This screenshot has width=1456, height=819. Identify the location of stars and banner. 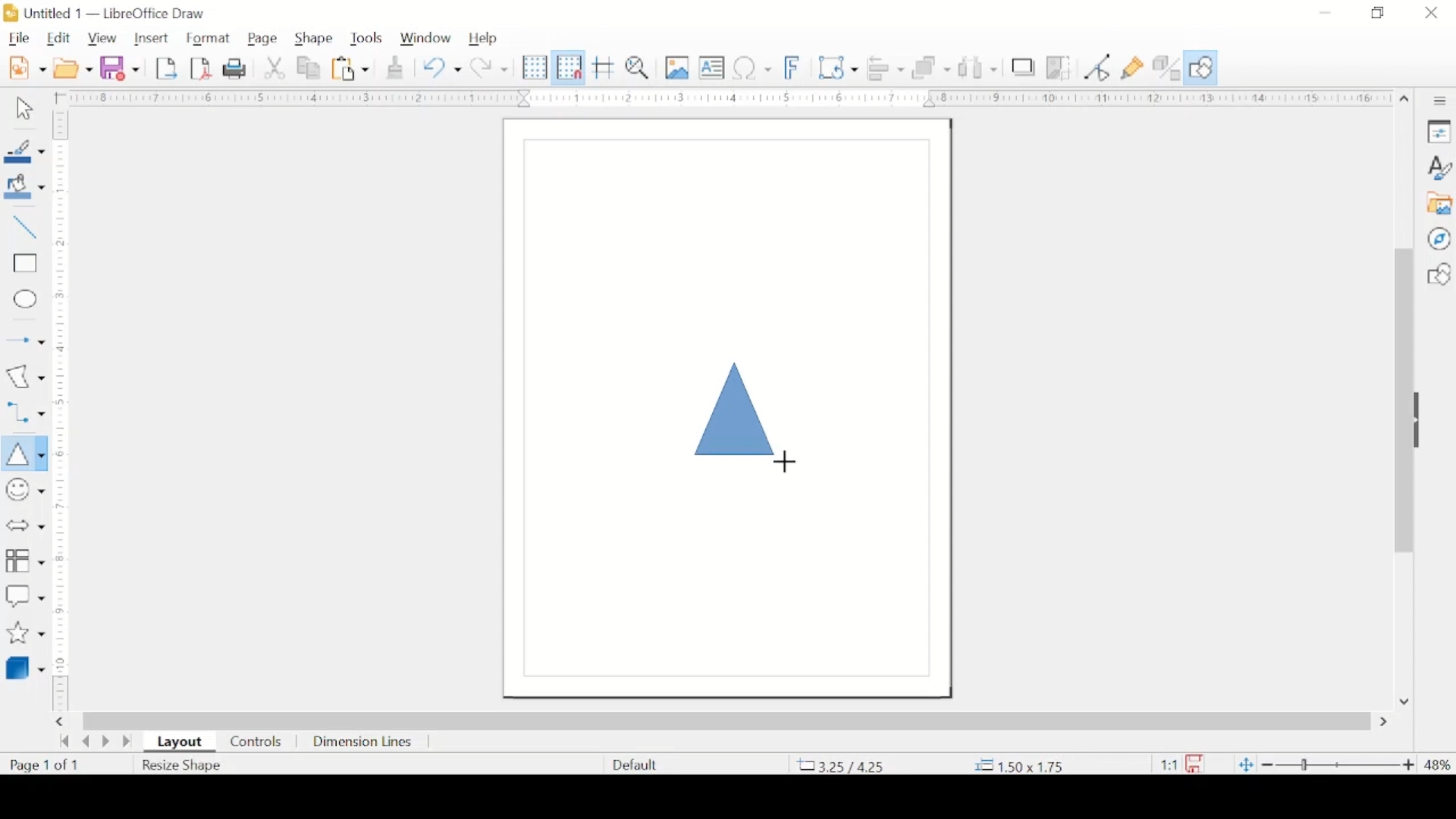
(24, 632).